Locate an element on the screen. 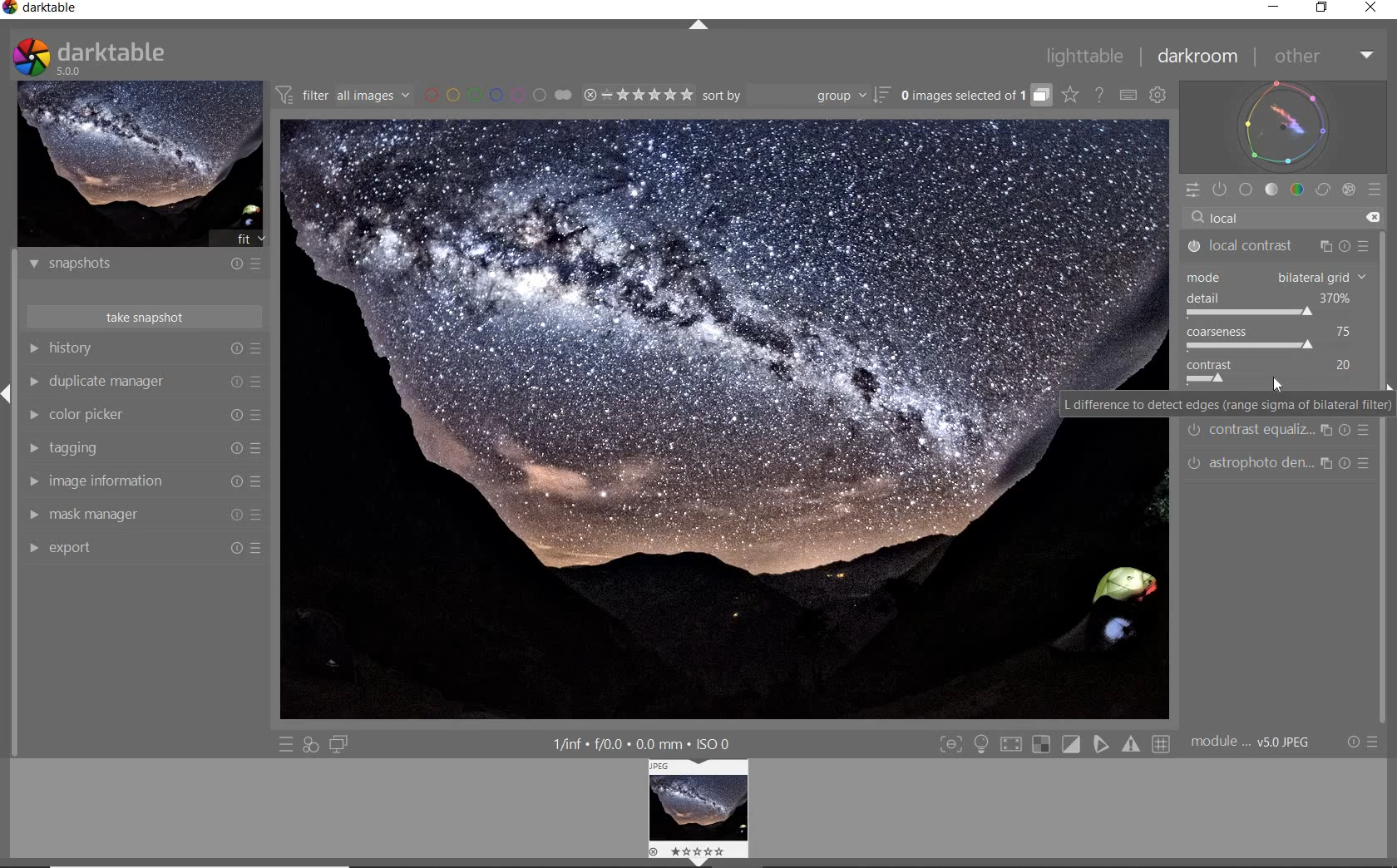 The height and width of the screenshot is (868, 1397). Reset is located at coordinates (233, 548).